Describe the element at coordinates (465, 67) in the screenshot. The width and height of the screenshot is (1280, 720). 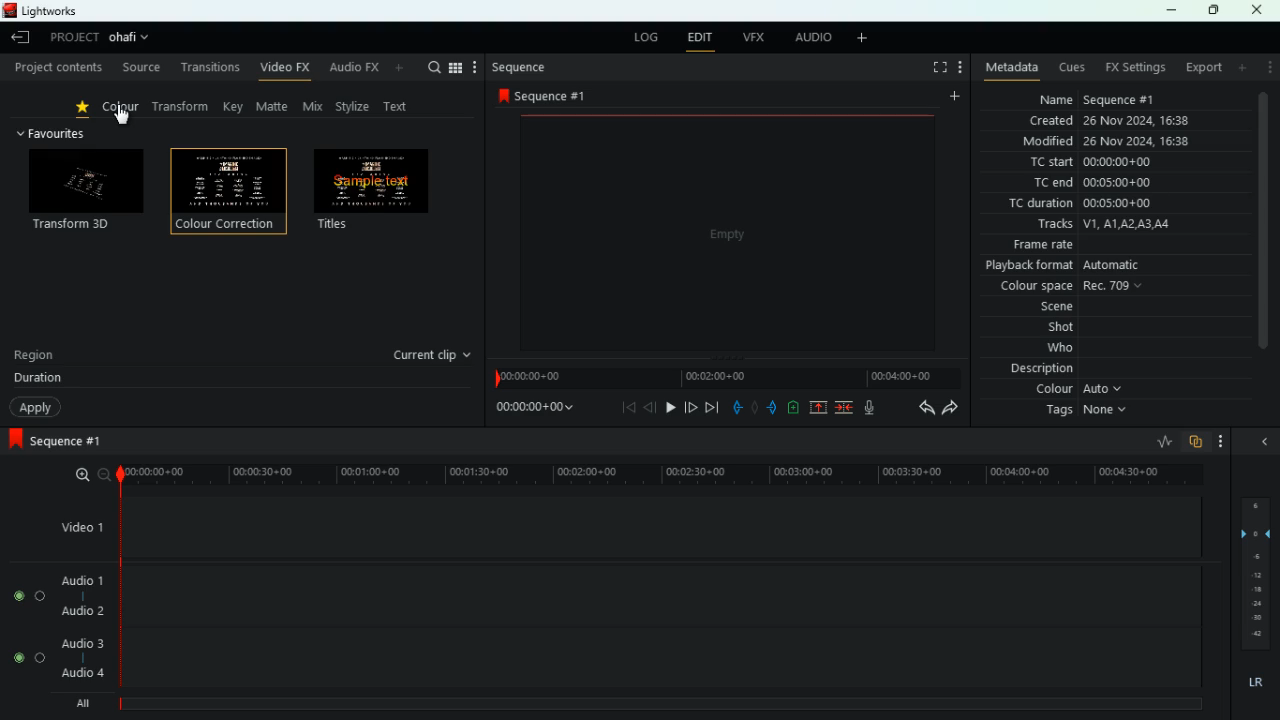
I see `menu` at that location.